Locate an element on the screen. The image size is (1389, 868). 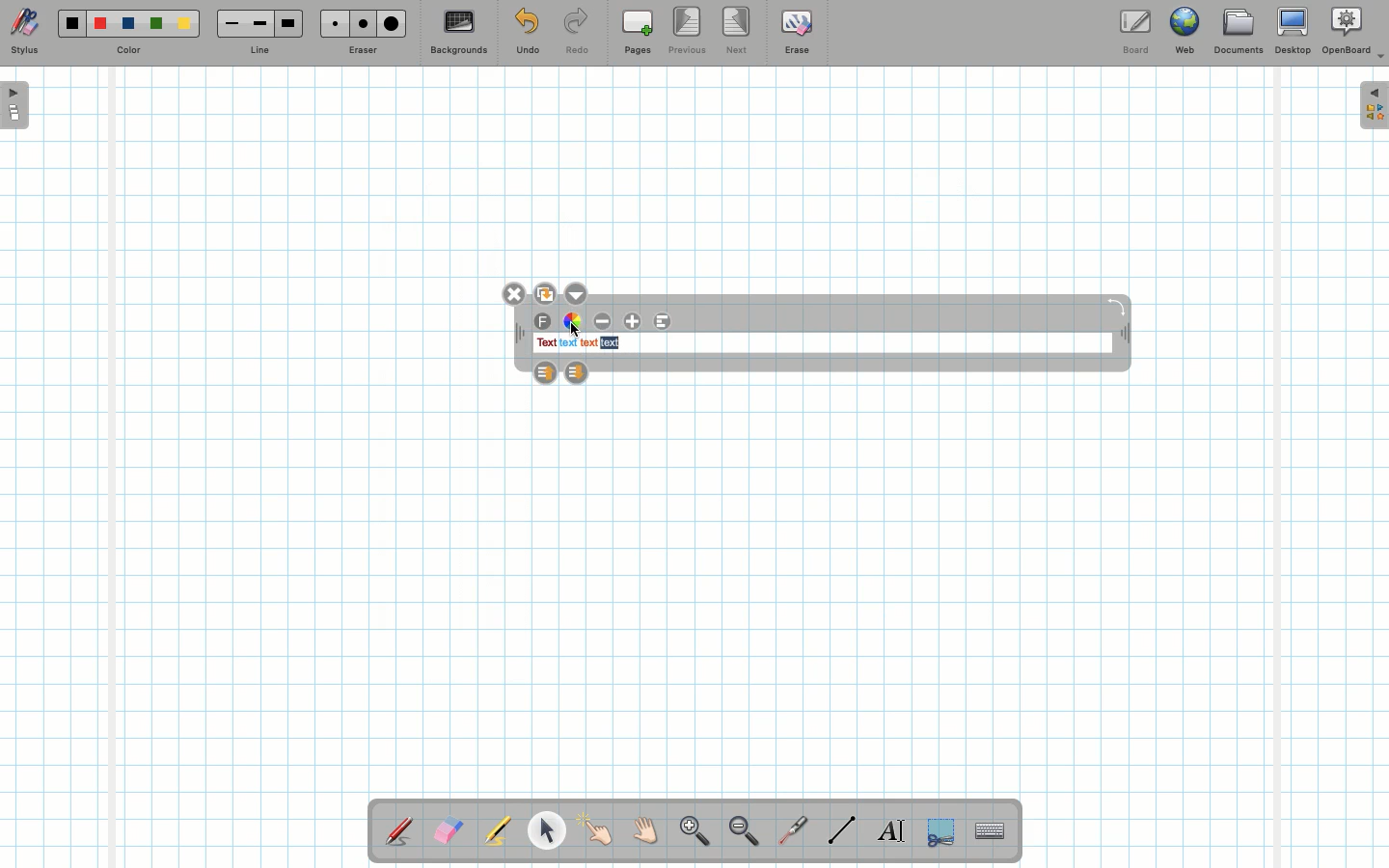
Board is located at coordinates (1134, 32).